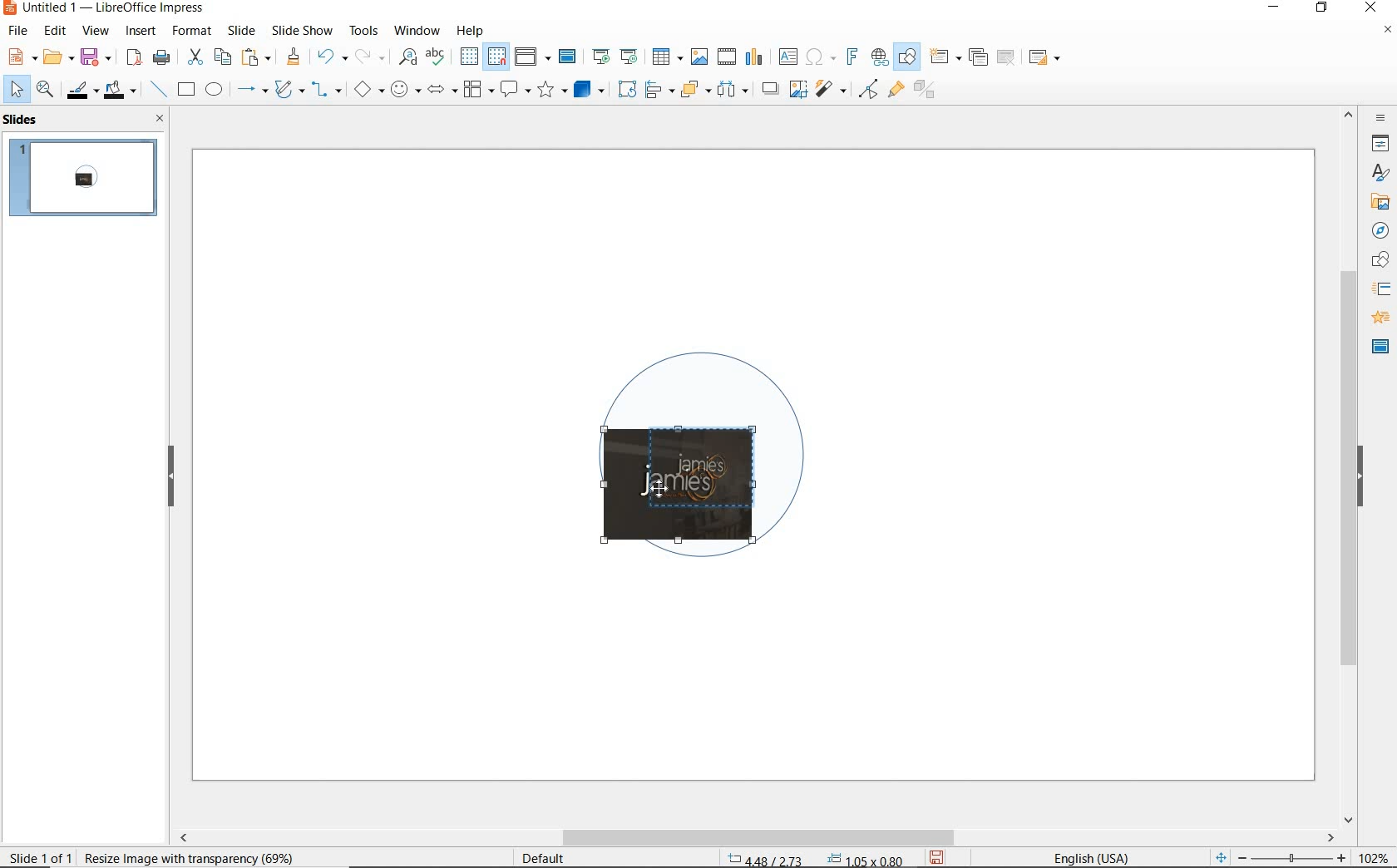 The image size is (1397, 868). What do you see at coordinates (978, 57) in the screenshot?
I see `duplicate slide` at bounding box center [978, 57].